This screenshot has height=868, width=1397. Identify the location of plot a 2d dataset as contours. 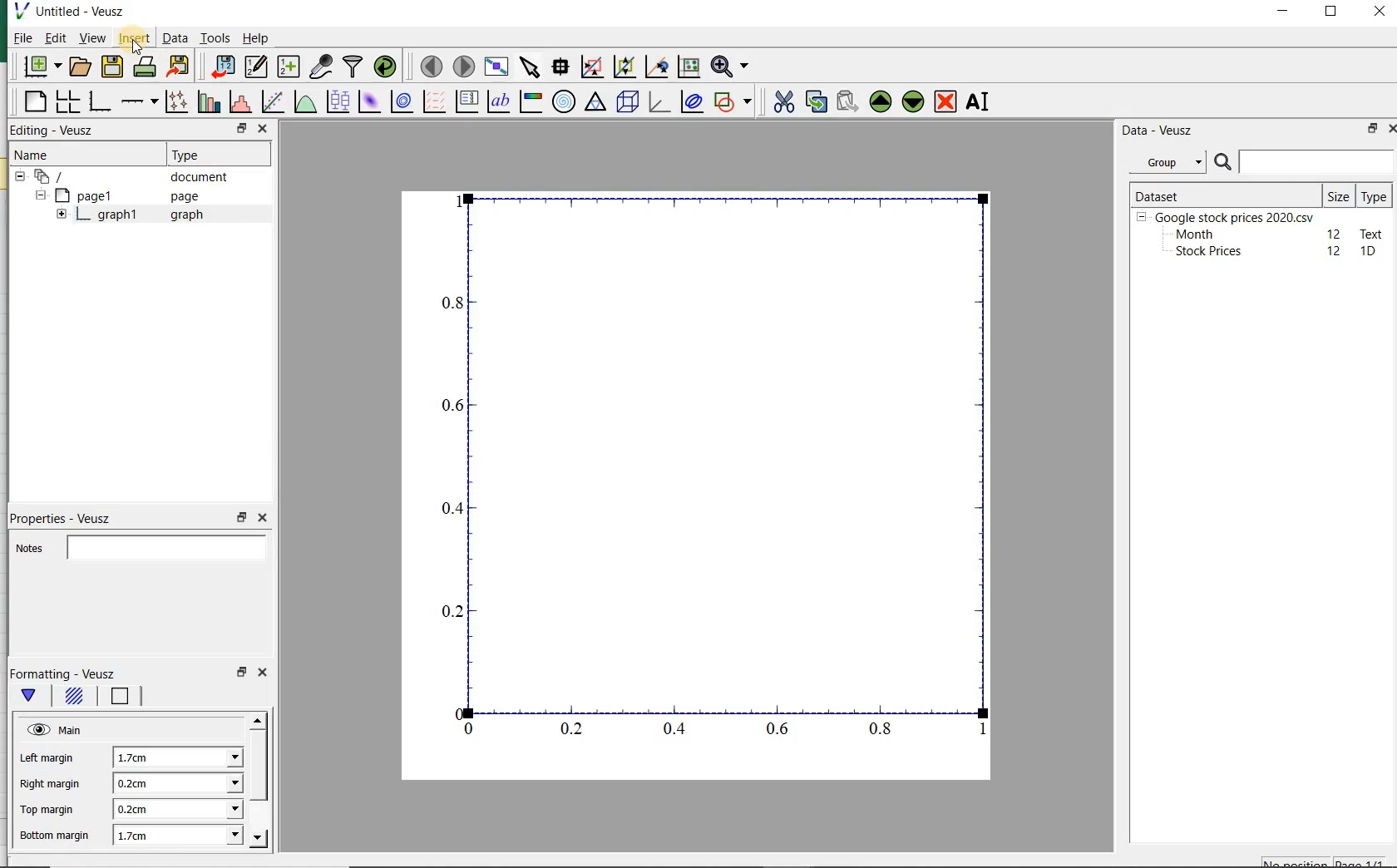
(399, 103).